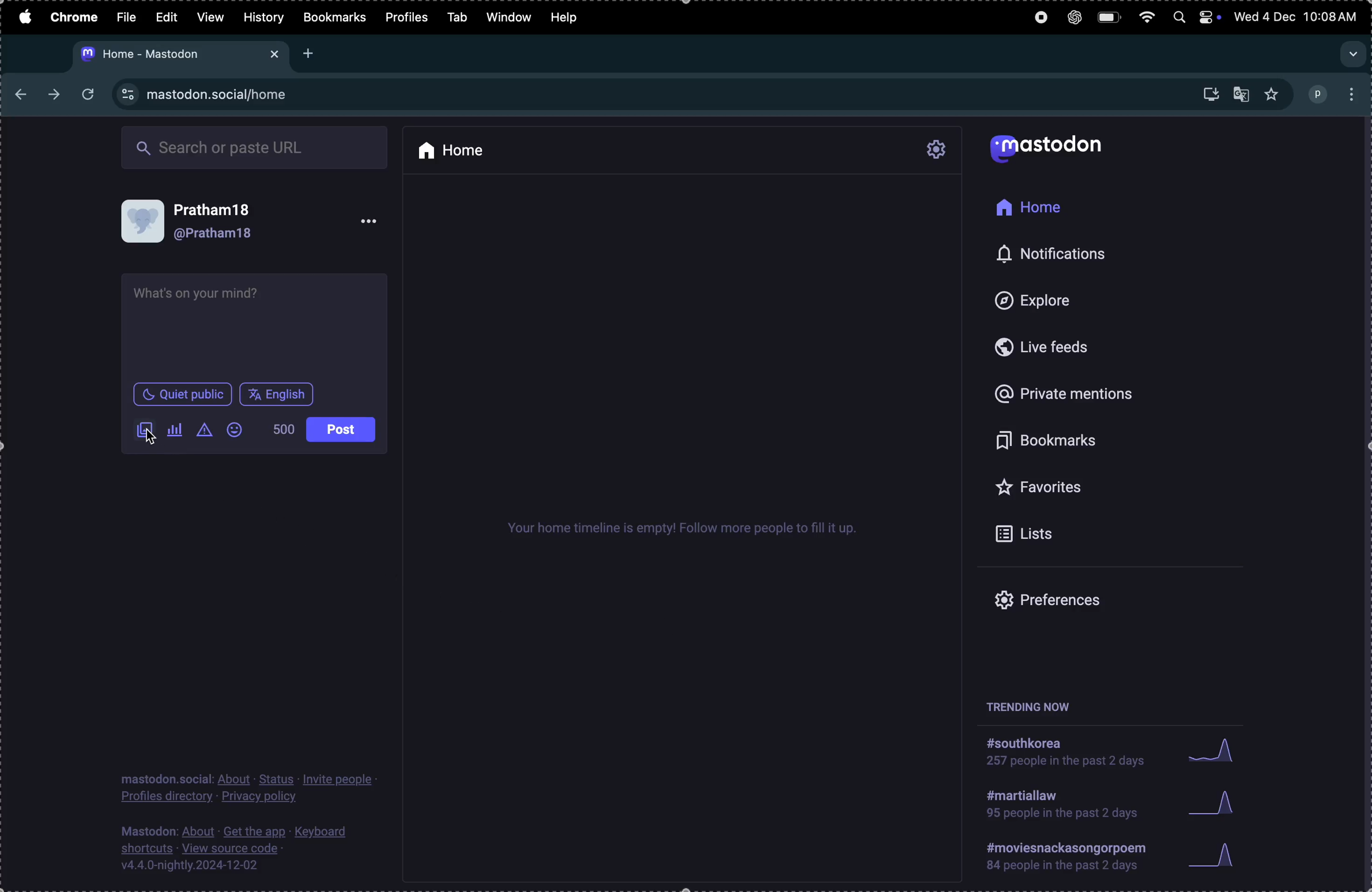  What do you see at coordinates (1046, 296) in the screenshot?
I see `Explore` at bounding box center [1046, 296].